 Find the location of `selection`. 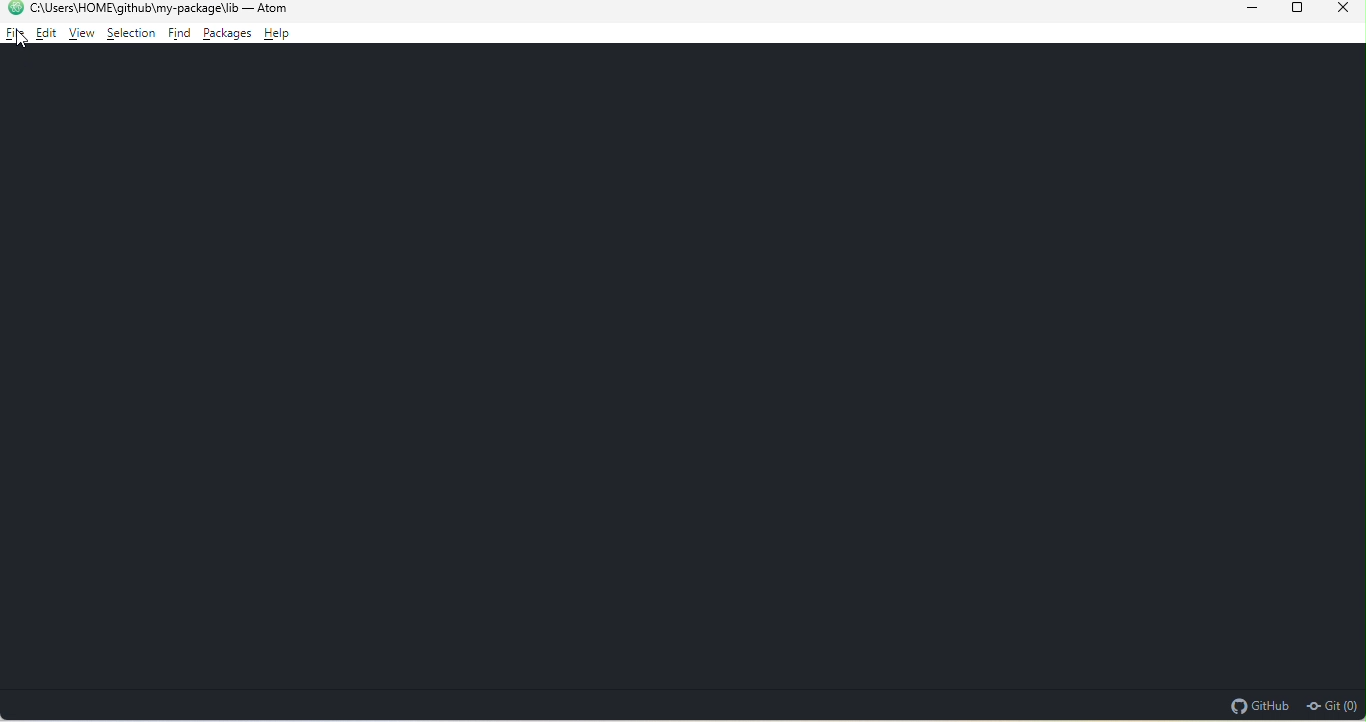

selection is located at coordinates (131, 35).